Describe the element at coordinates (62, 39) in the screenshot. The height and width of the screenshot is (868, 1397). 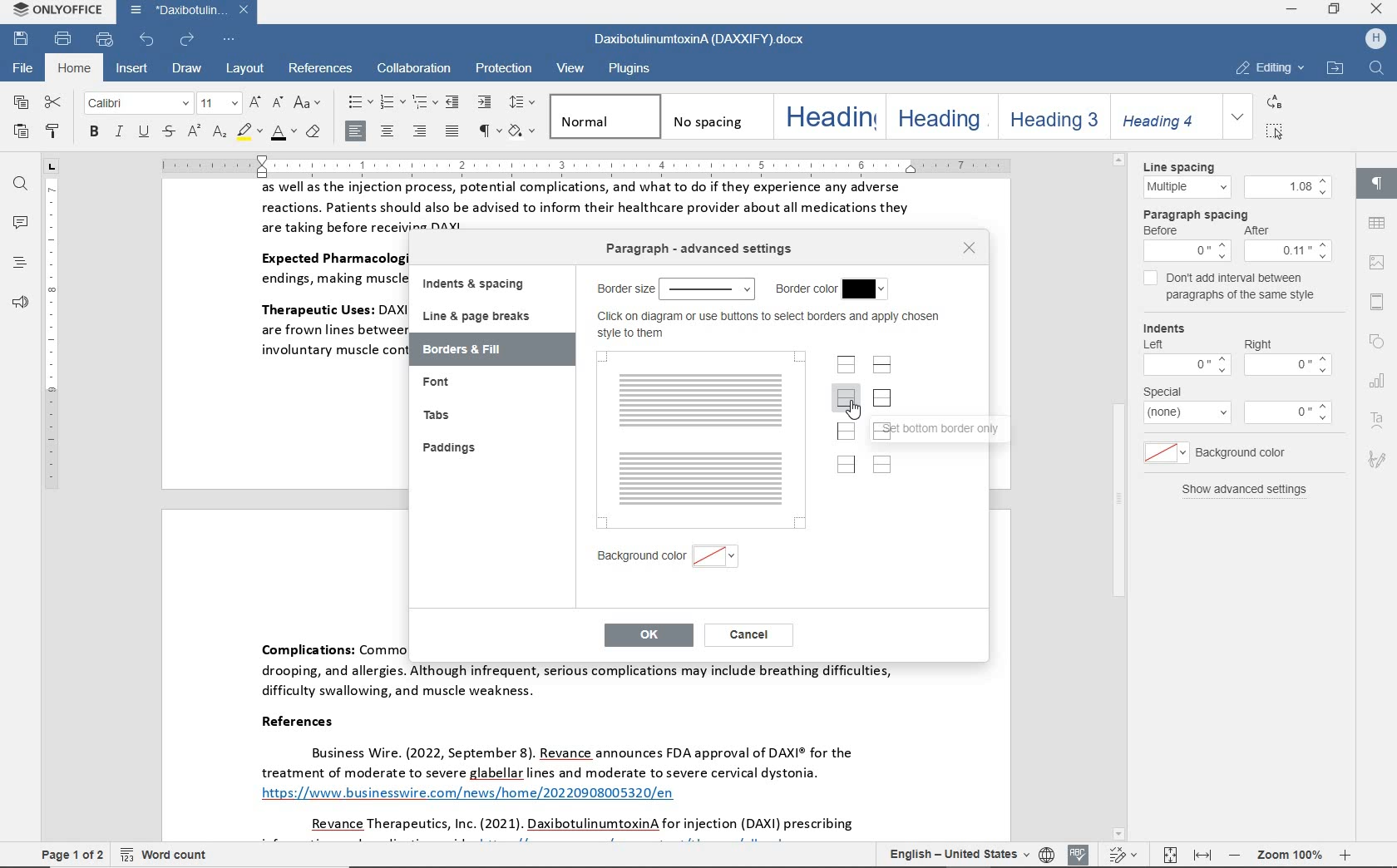
I see `print` at that location.